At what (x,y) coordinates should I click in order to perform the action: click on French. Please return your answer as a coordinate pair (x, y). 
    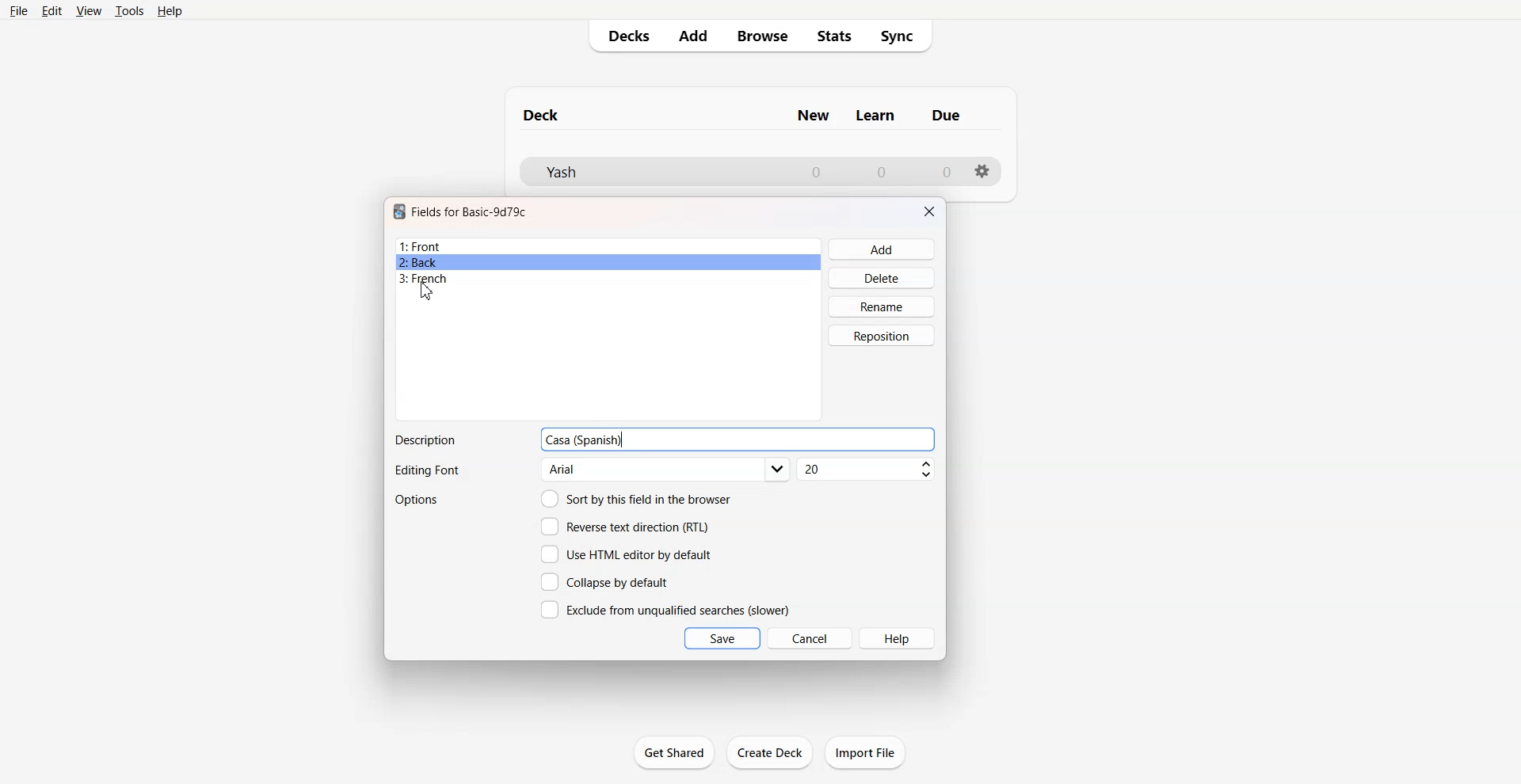
    Looking at the image, I should click on (608, 279).